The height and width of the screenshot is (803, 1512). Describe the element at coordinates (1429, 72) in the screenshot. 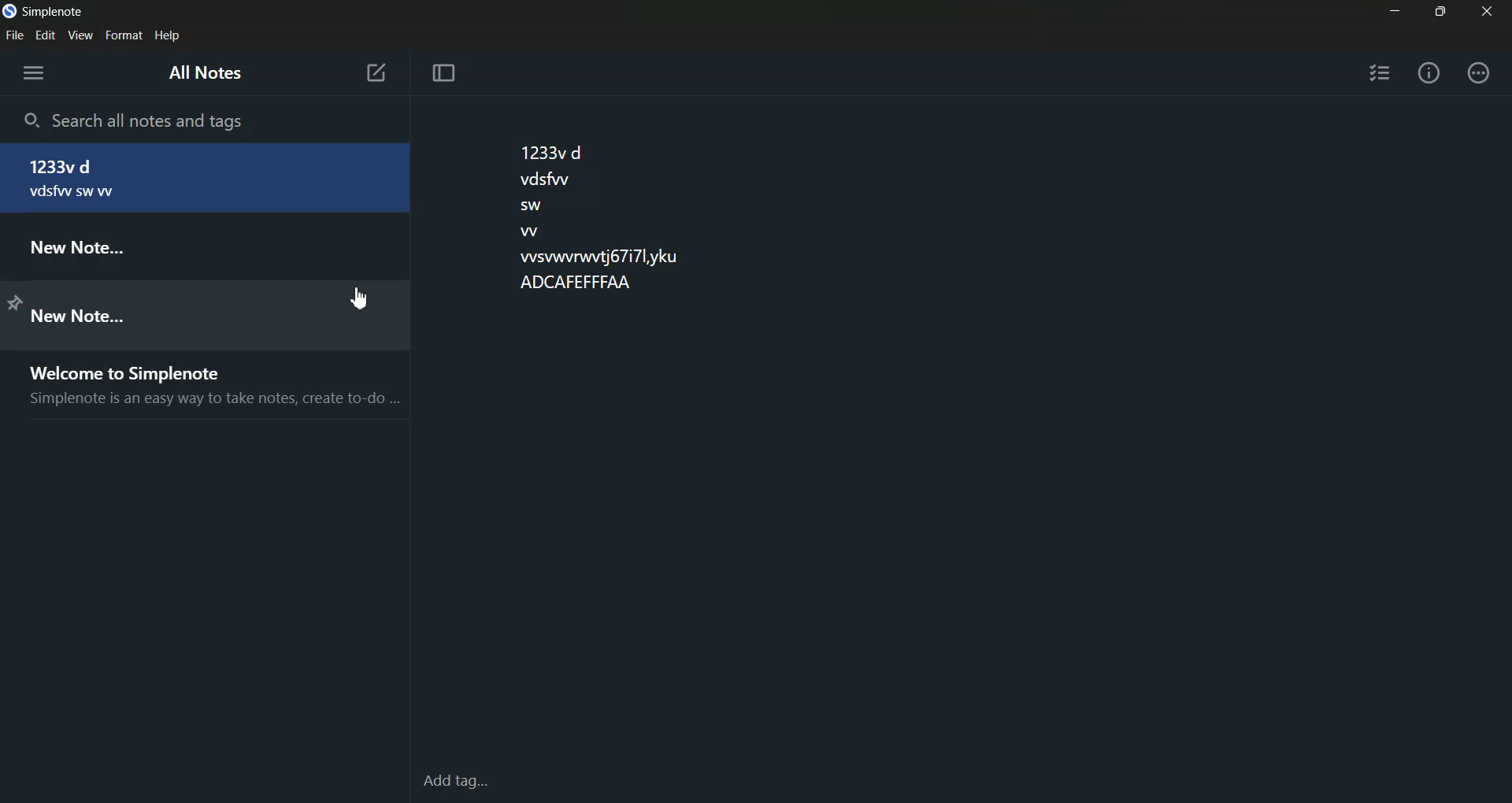

I see `Info` at that location.